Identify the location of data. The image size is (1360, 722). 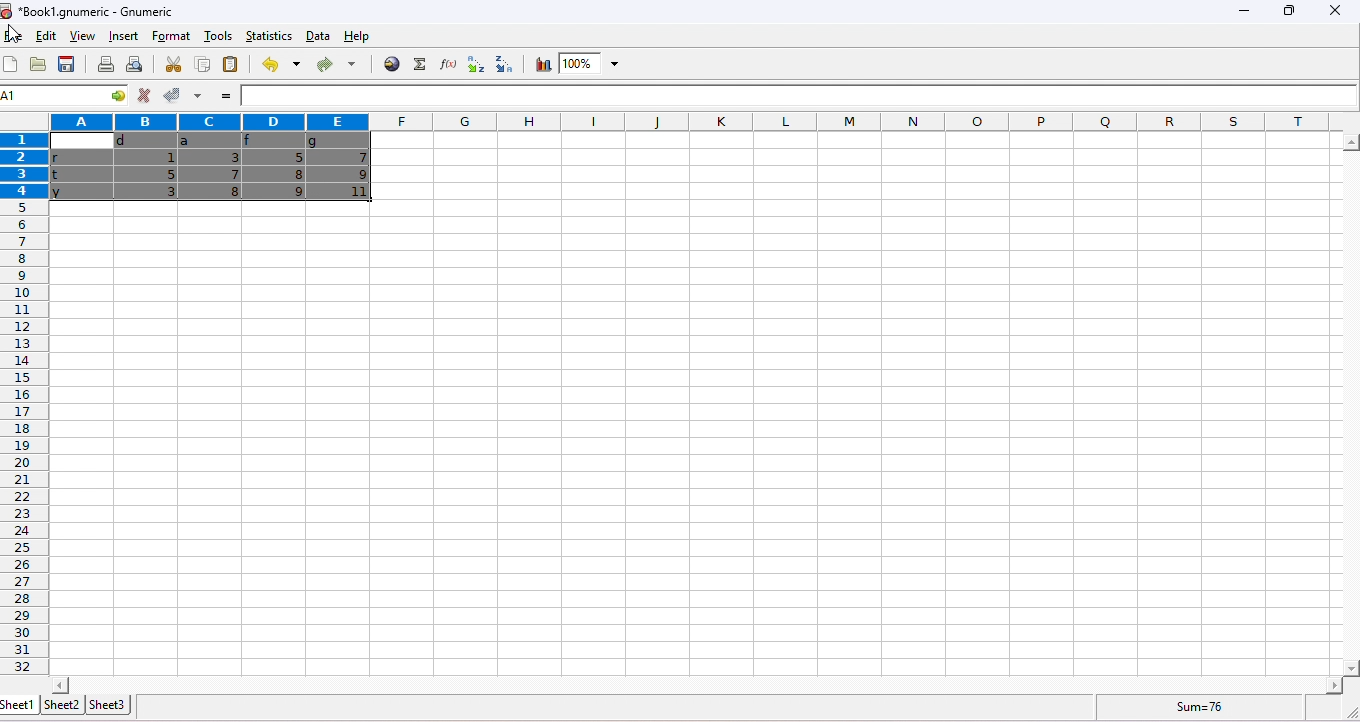
(318, 36).